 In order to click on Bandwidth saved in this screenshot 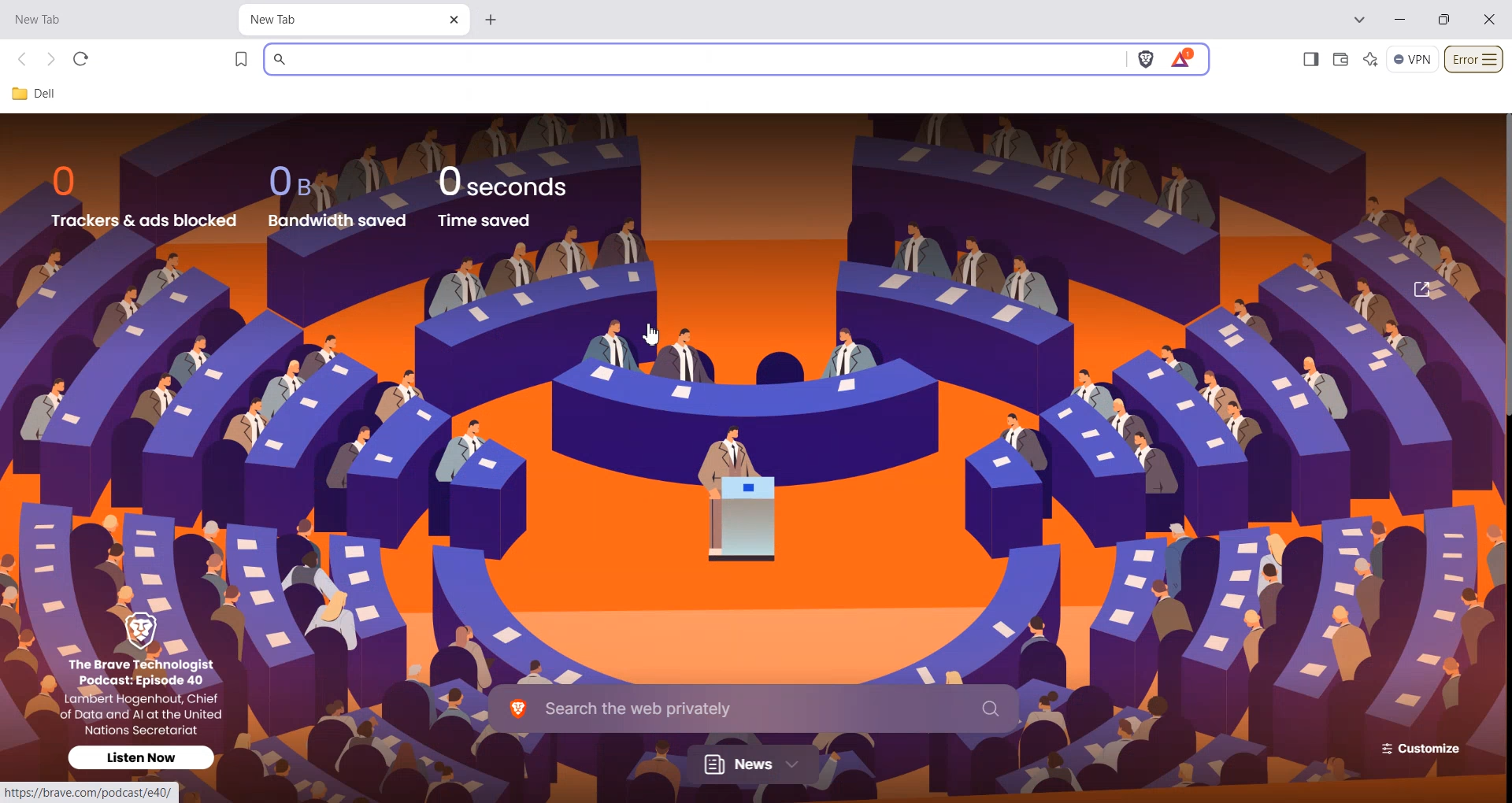, I will do `click(339, 220)`.